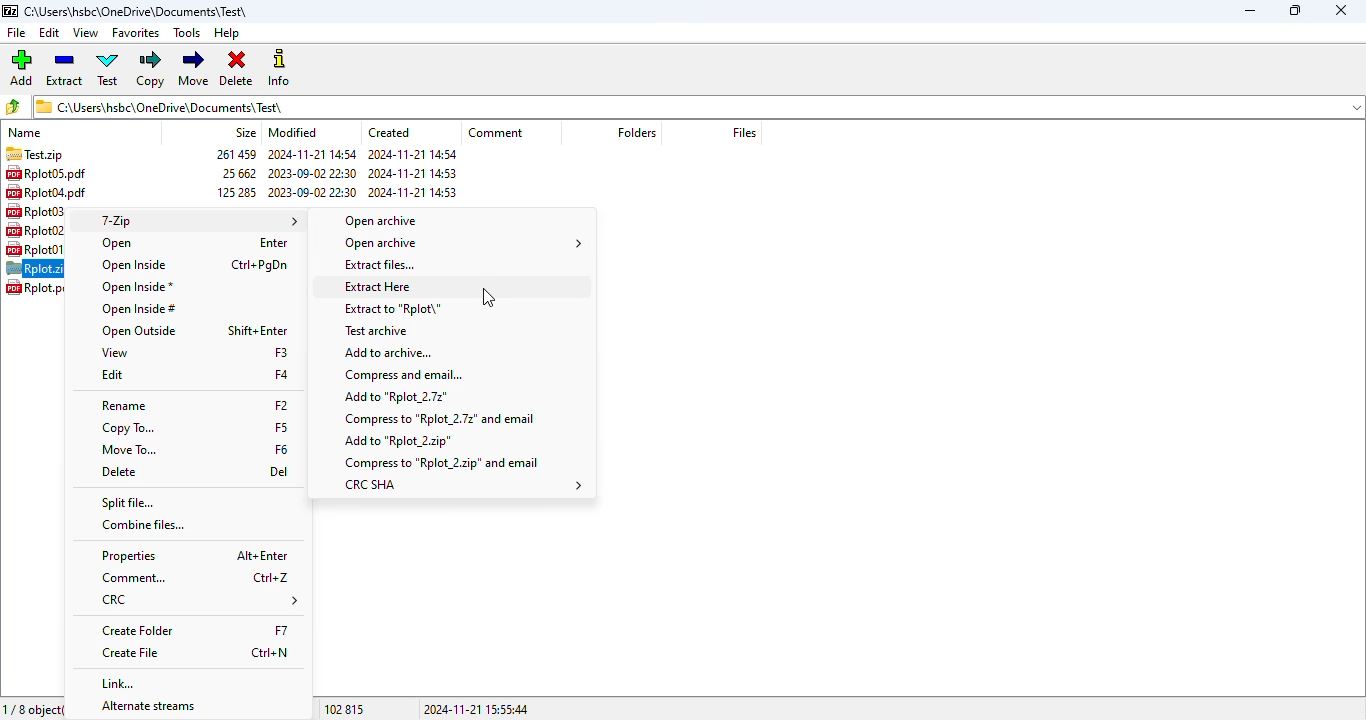 Image resolution: width=1366 pixels, height=720 pixels. Describe the element at coordinates (34, 154) in the screenshot. I see `Test.zip` at that location.